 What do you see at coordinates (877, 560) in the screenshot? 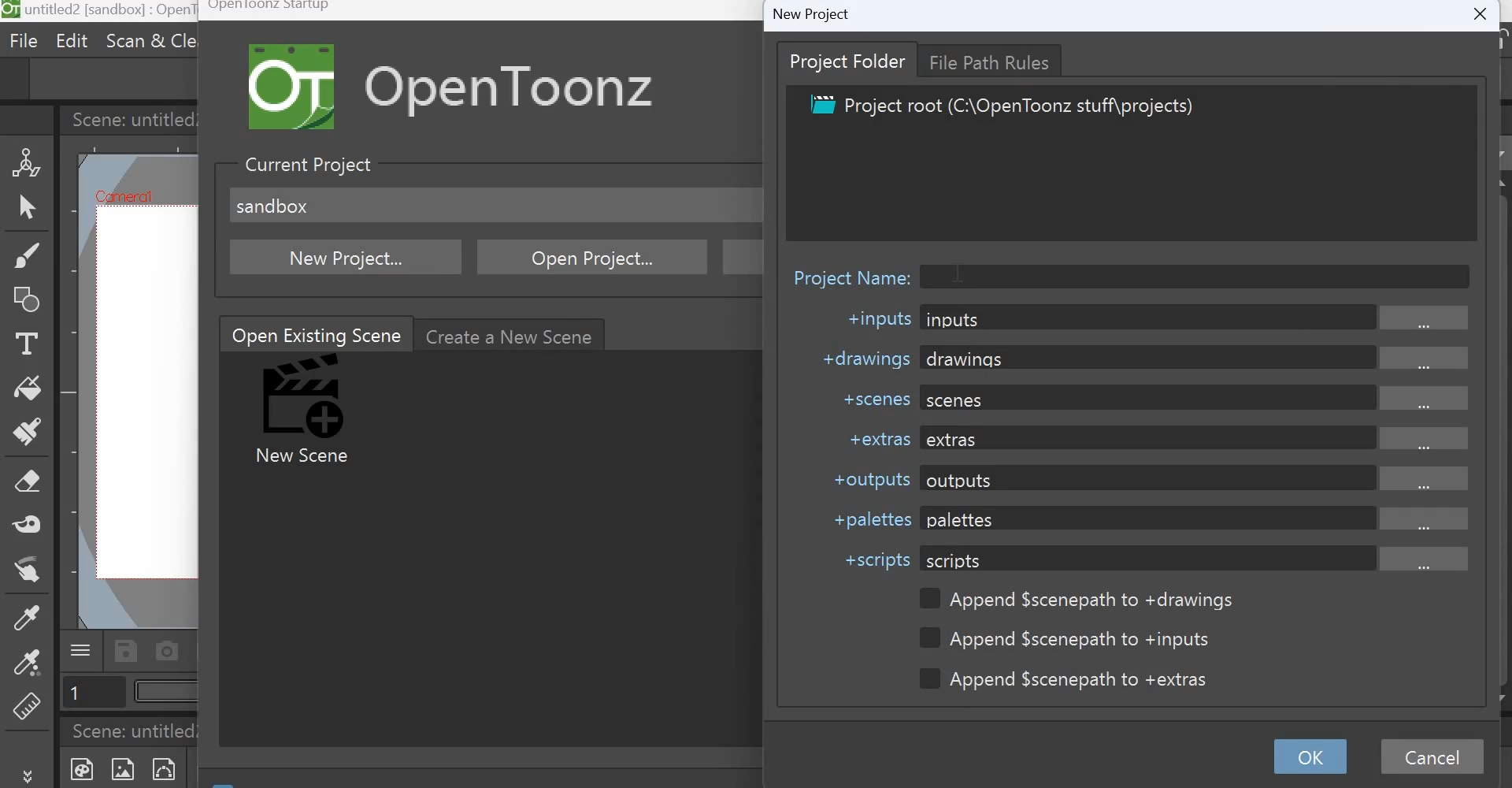
I see `+scripts` at bounding box center [877, 560].